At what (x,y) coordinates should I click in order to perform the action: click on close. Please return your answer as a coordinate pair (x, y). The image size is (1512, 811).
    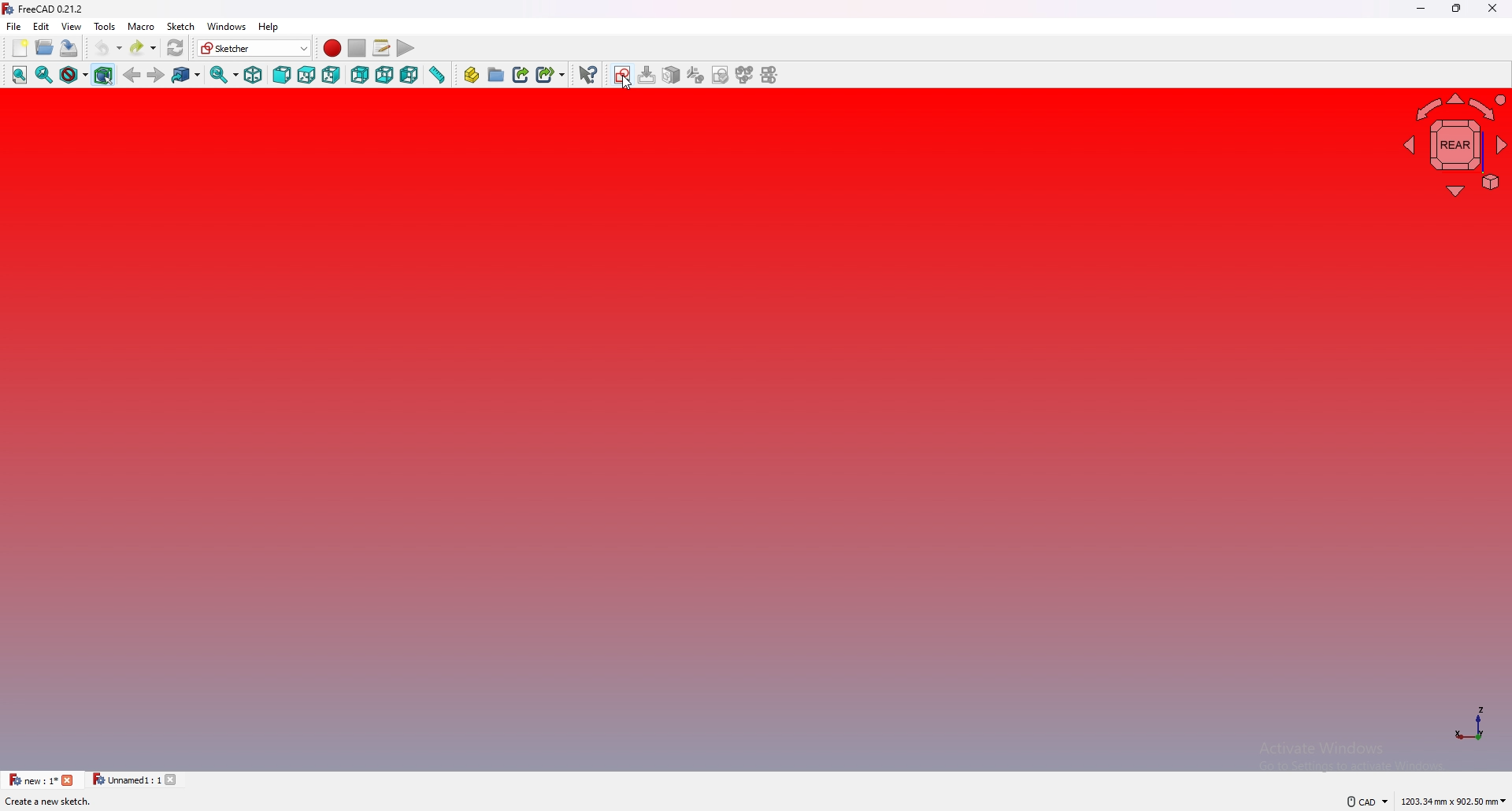
    Looking at the image, I should click on (1493, 8).